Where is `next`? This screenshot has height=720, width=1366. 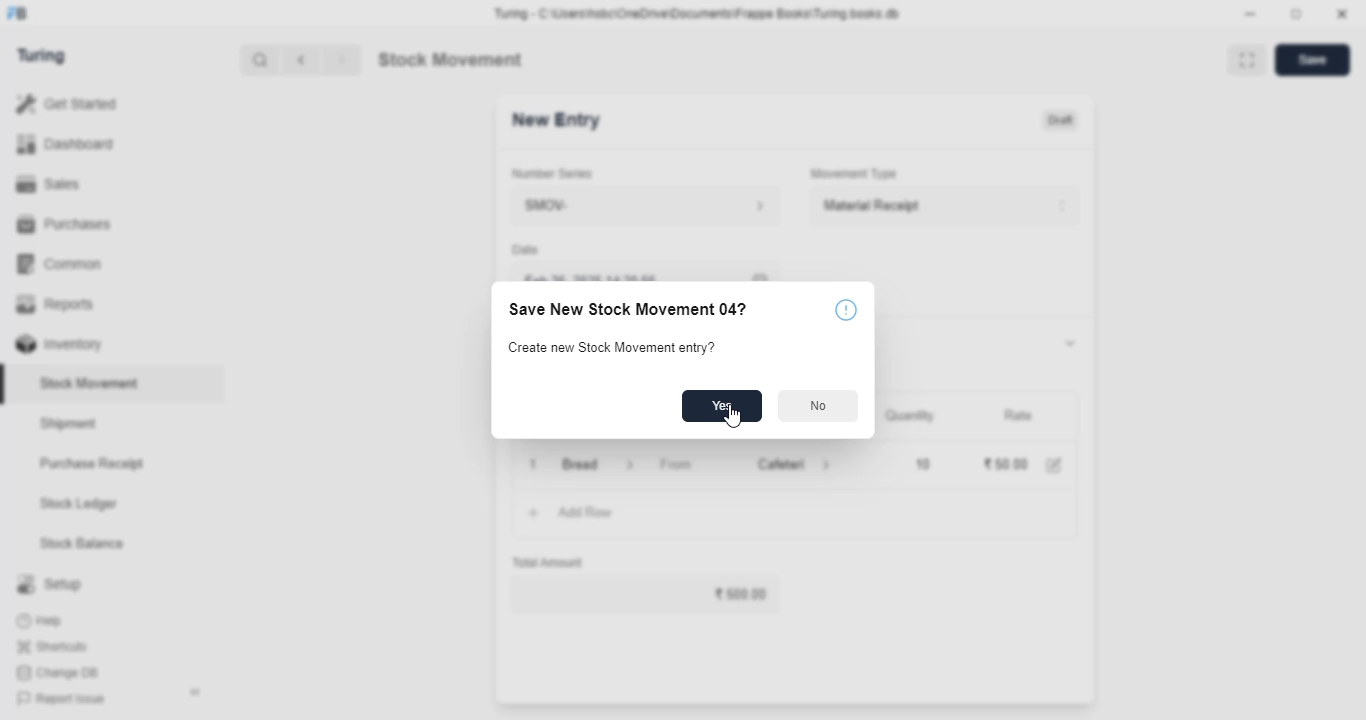
next is located at coordinates (342, 60).